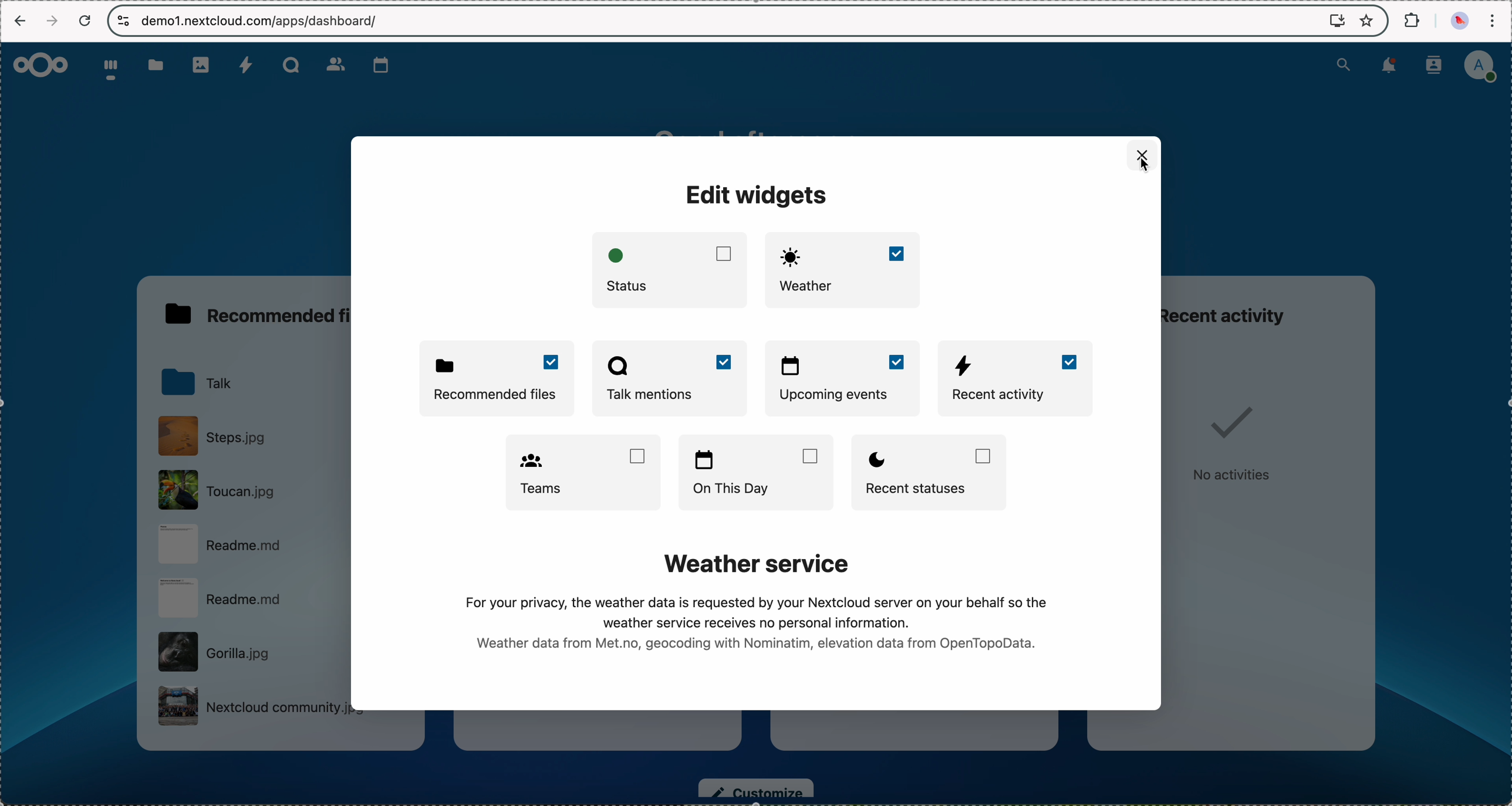 The width and height of the screenshot is (1512, 806). Describe the element at coordinates (582, 472) in the screenshot. I see `Teams` at that location.